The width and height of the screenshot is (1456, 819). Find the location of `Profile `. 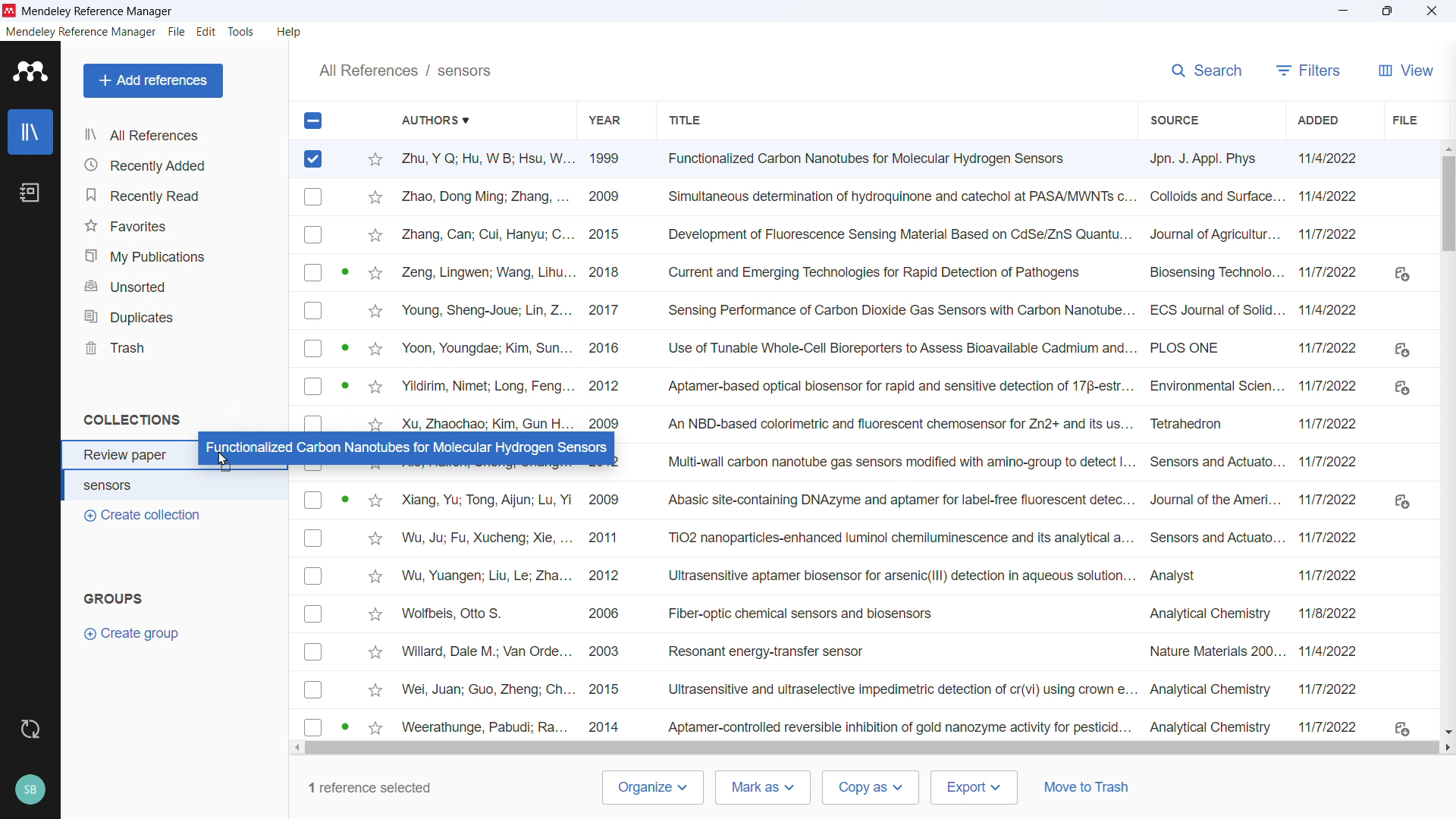

Profile  is located at coordinates (30, 791).